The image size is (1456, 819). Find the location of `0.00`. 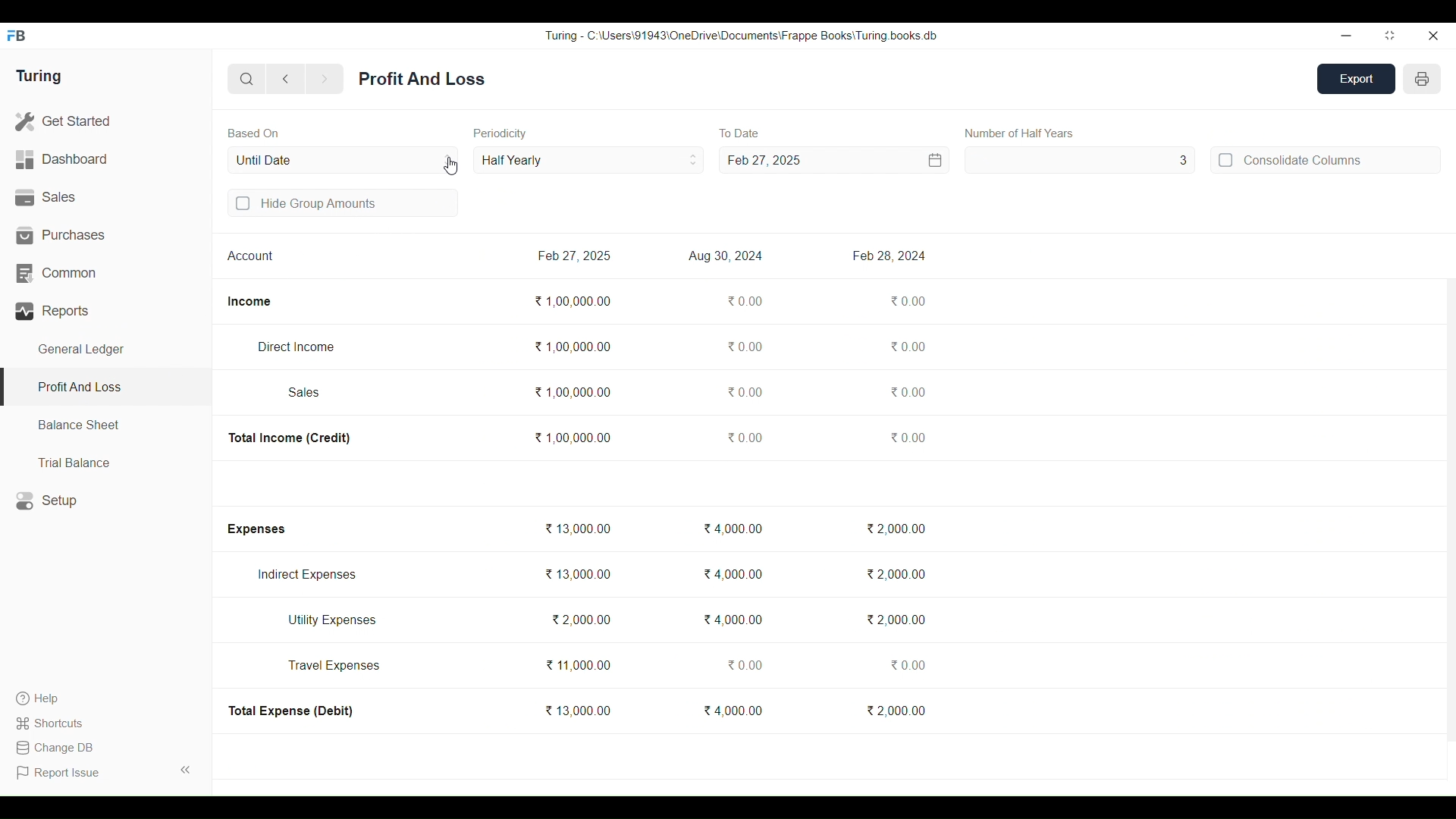

0.00 is located at coordinates (742, 346).